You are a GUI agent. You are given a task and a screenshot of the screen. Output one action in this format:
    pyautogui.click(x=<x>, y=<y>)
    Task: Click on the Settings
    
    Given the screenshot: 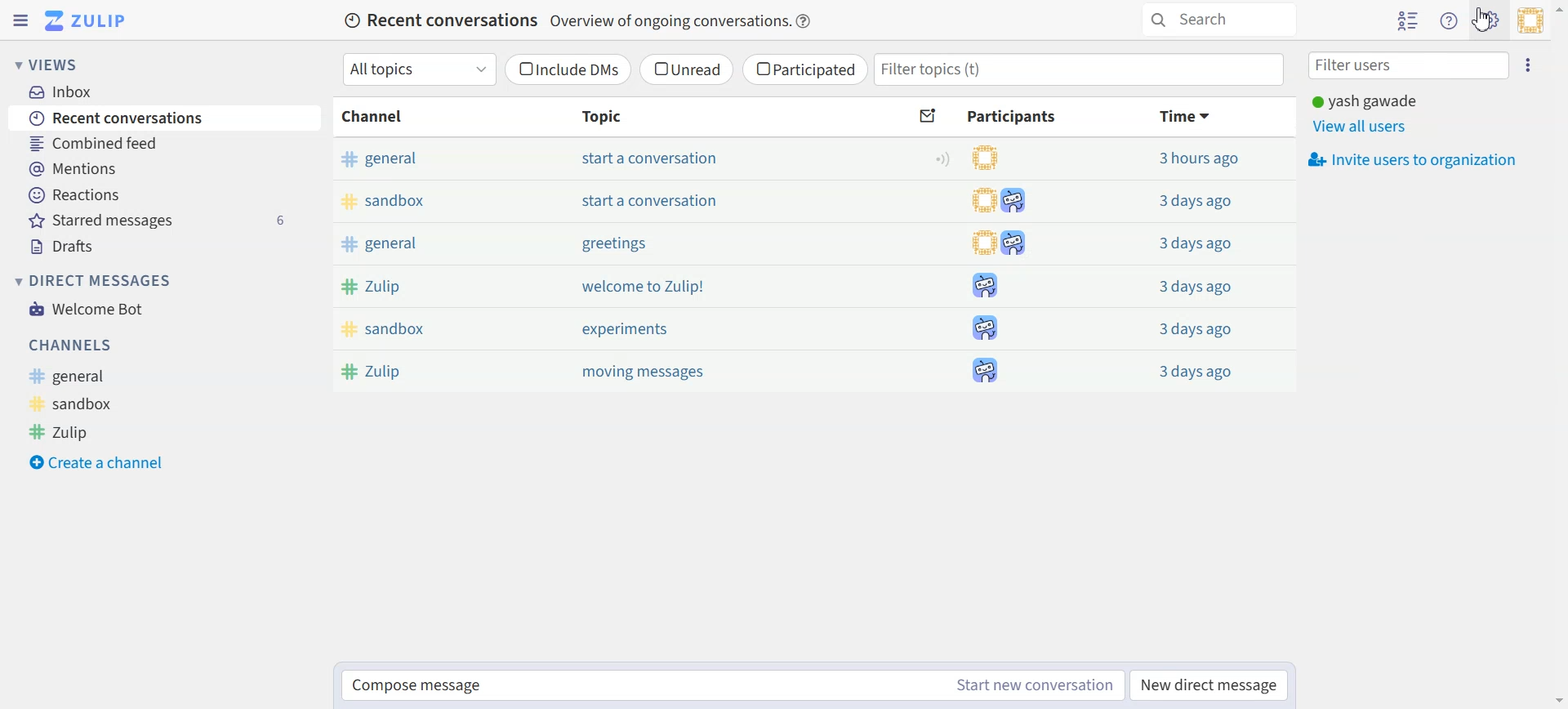 What is the action you would take?
    pyautogui.click(x=1487, y=22)
    